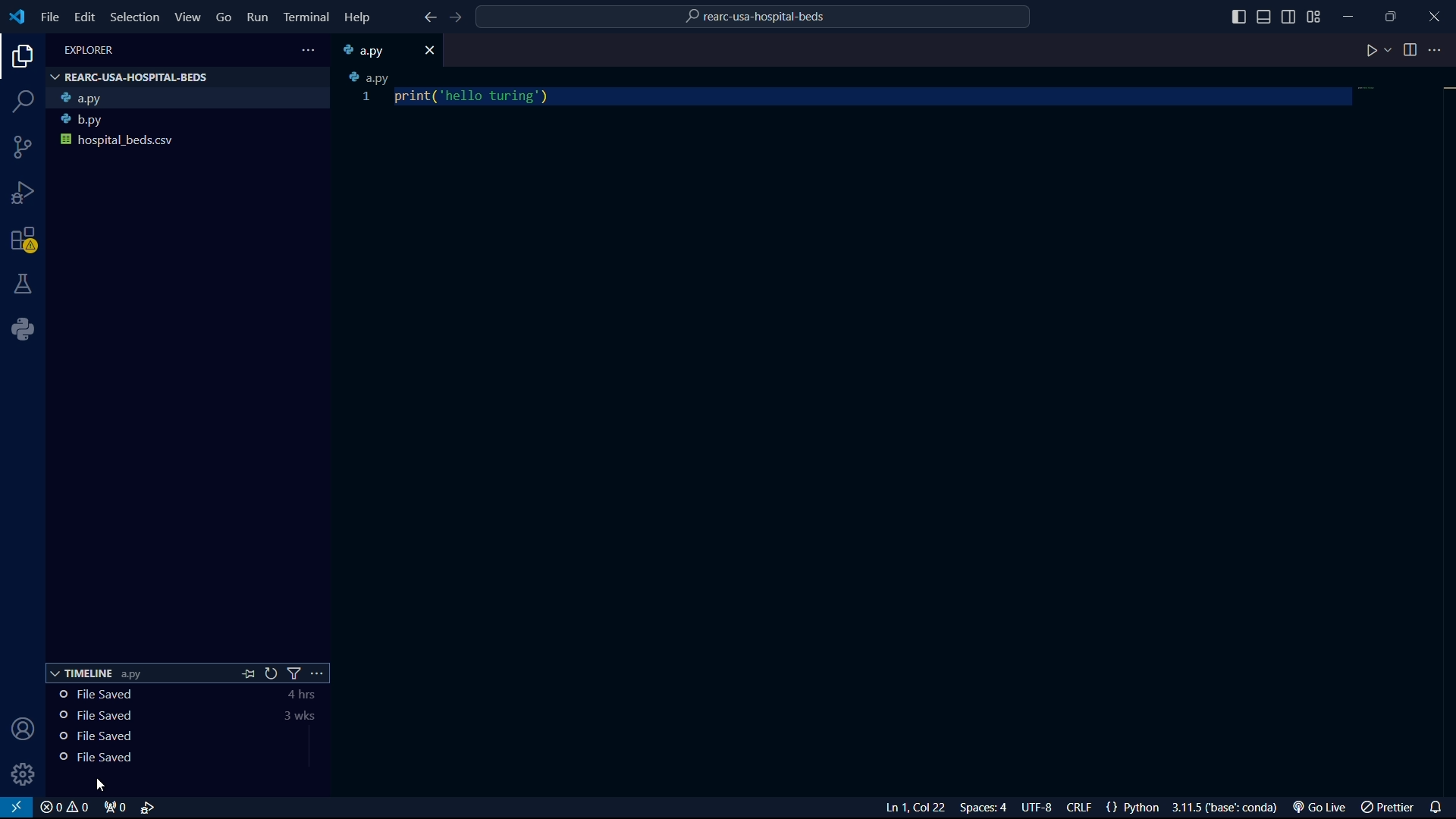 The image size is (1456, 819). I want to click on folder name, so click(755, 19).